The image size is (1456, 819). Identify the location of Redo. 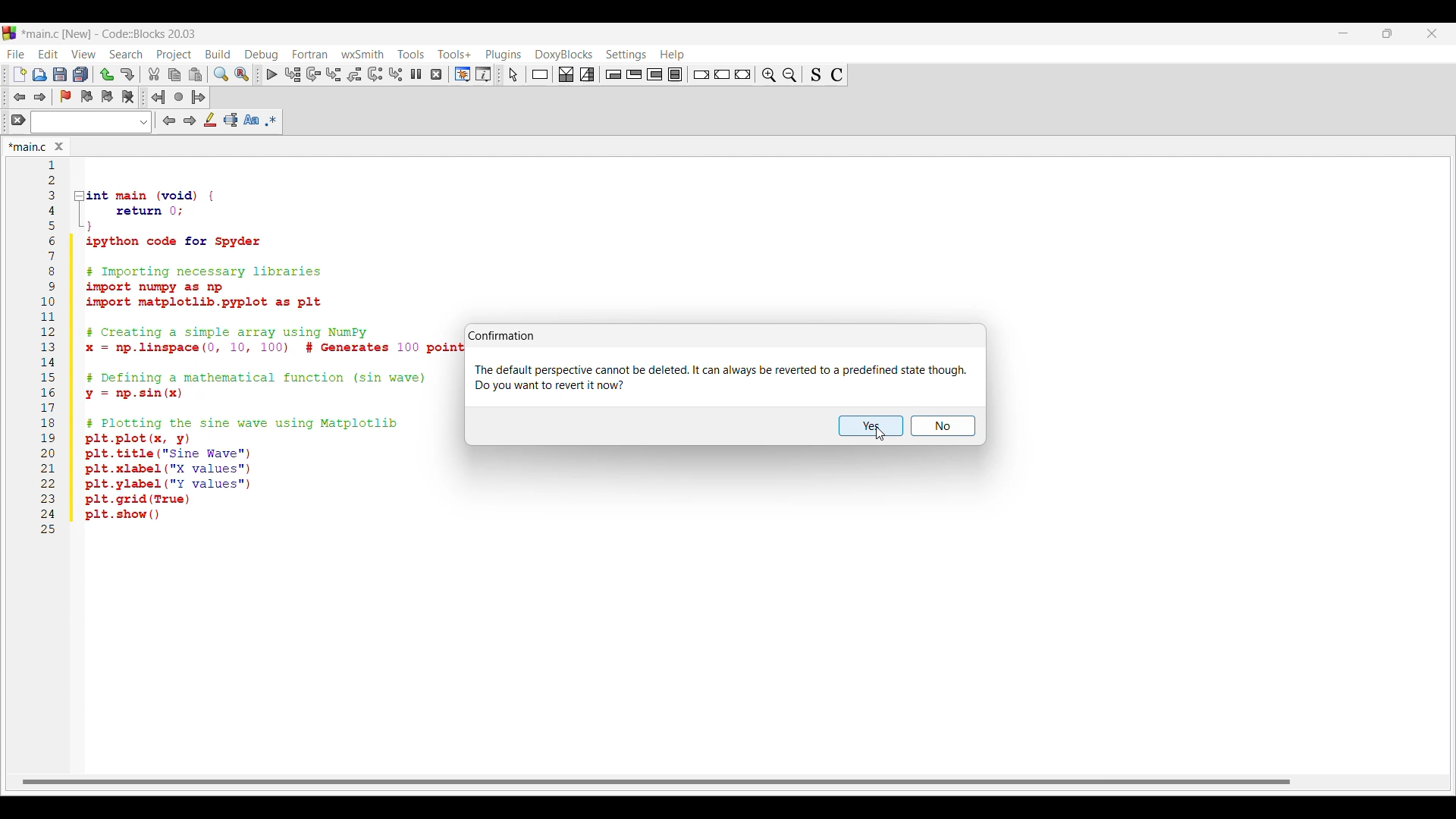
(127, 74).